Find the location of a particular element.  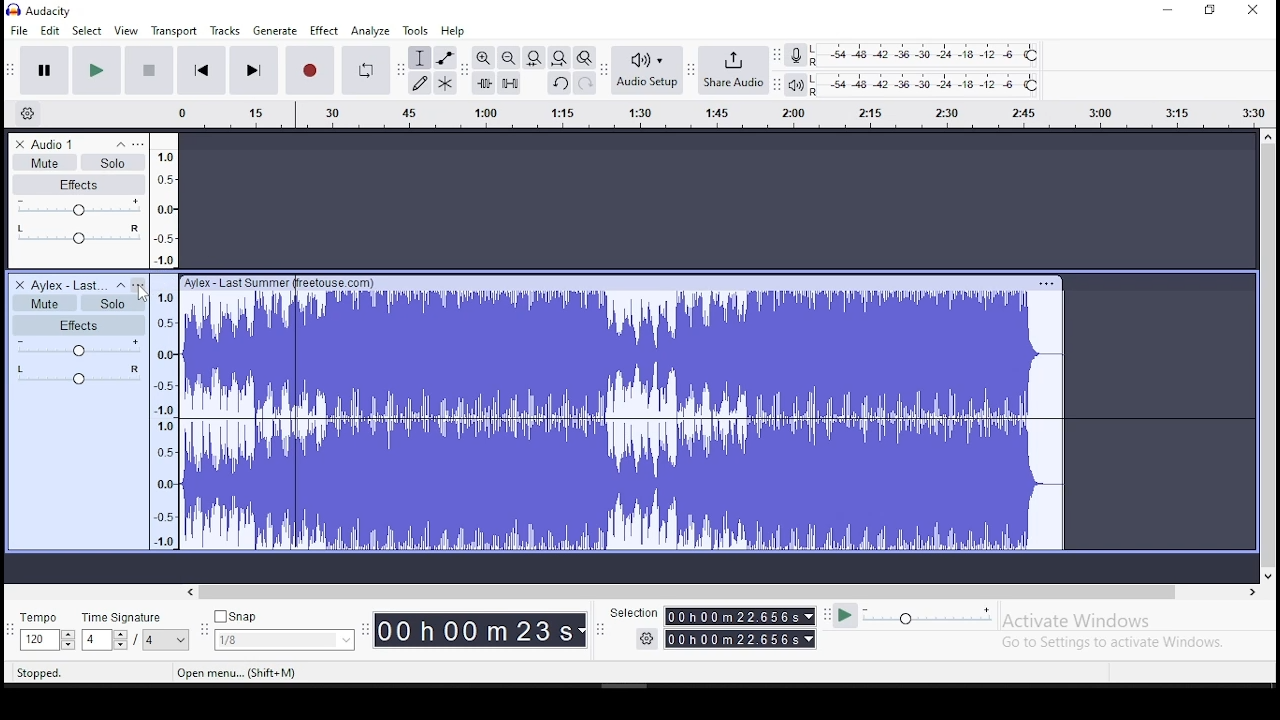

pan is located at coordinates (79, 374).